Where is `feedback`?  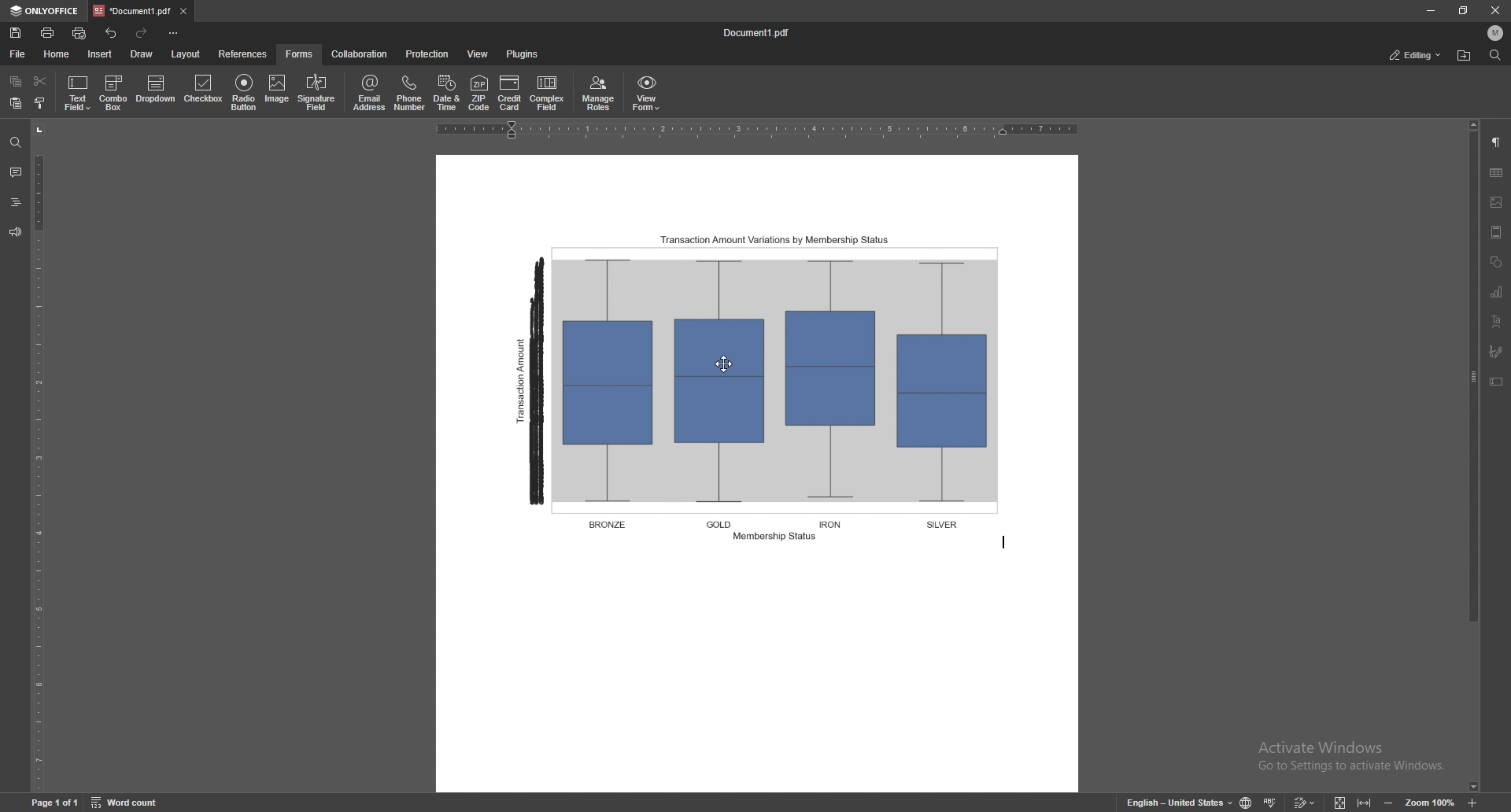 feedback is located at coordinates (14, 232).